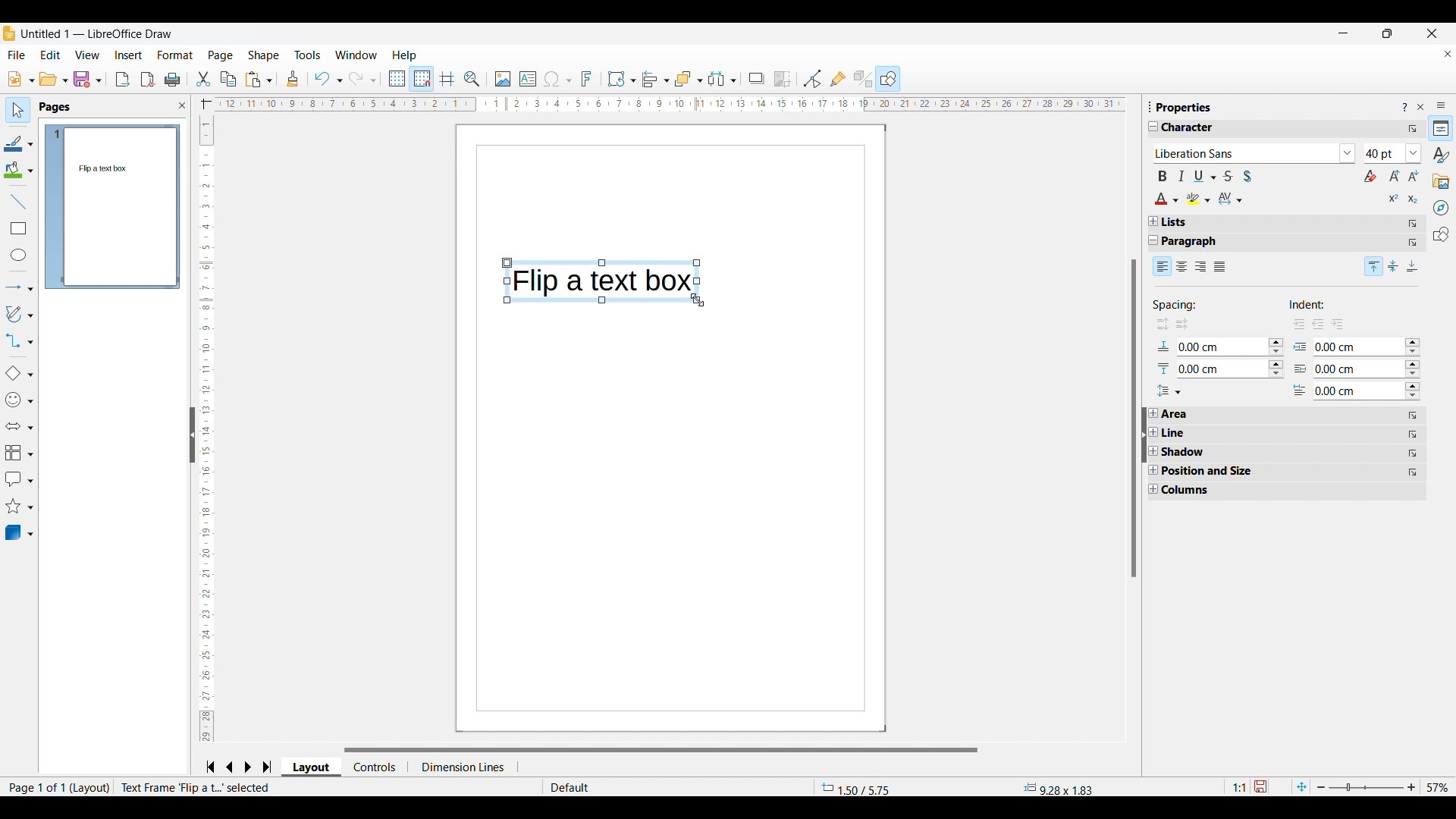  Describe the element at coordinates (1216, 345) in the screenshot. I see `0.00cm` at that location.